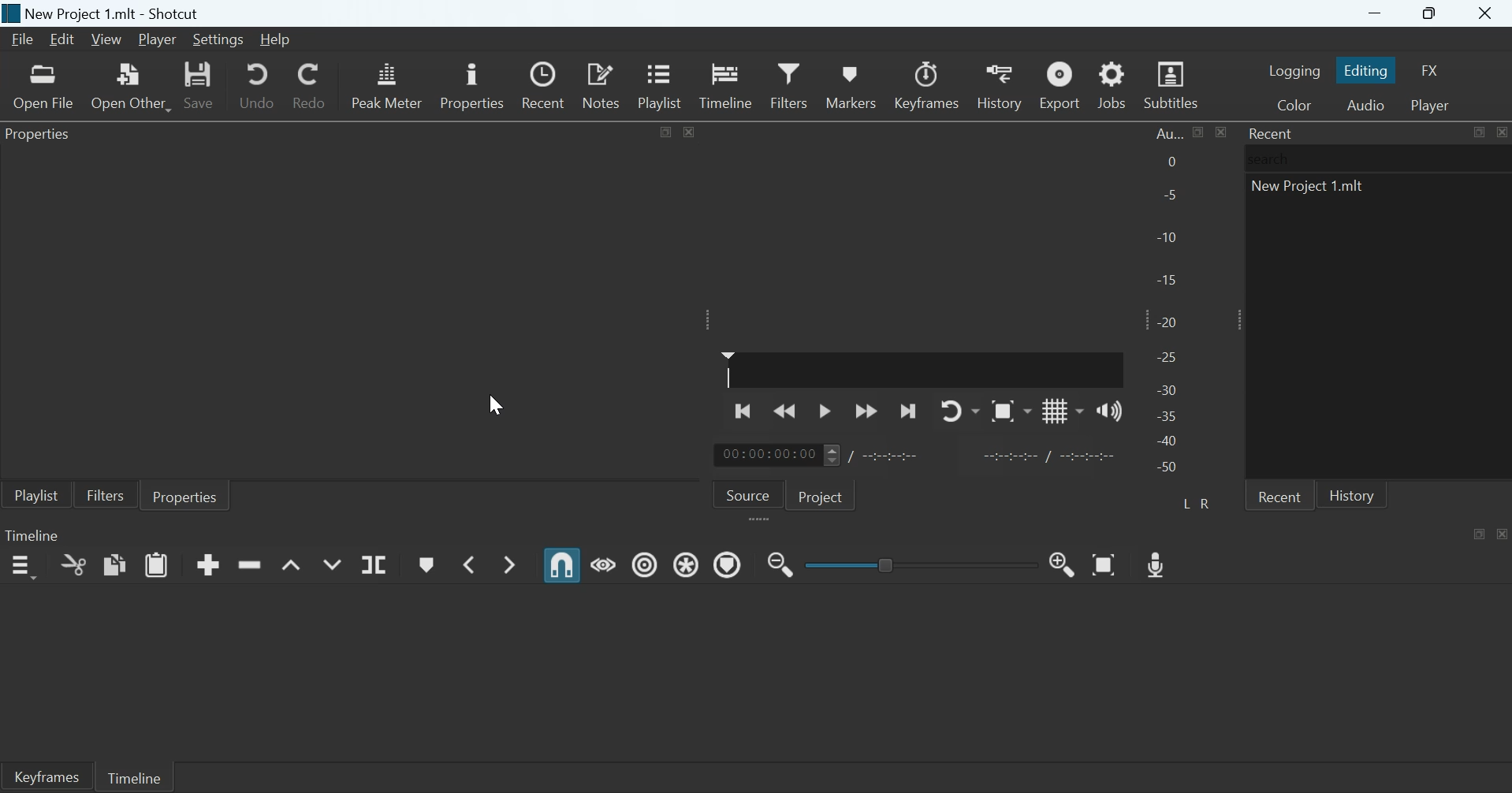 This screenshot has width=1512, height=793. What do you see at coordinates (850, 84) in the screenshot?
I see `Markers` at bounding box center [850, 84].